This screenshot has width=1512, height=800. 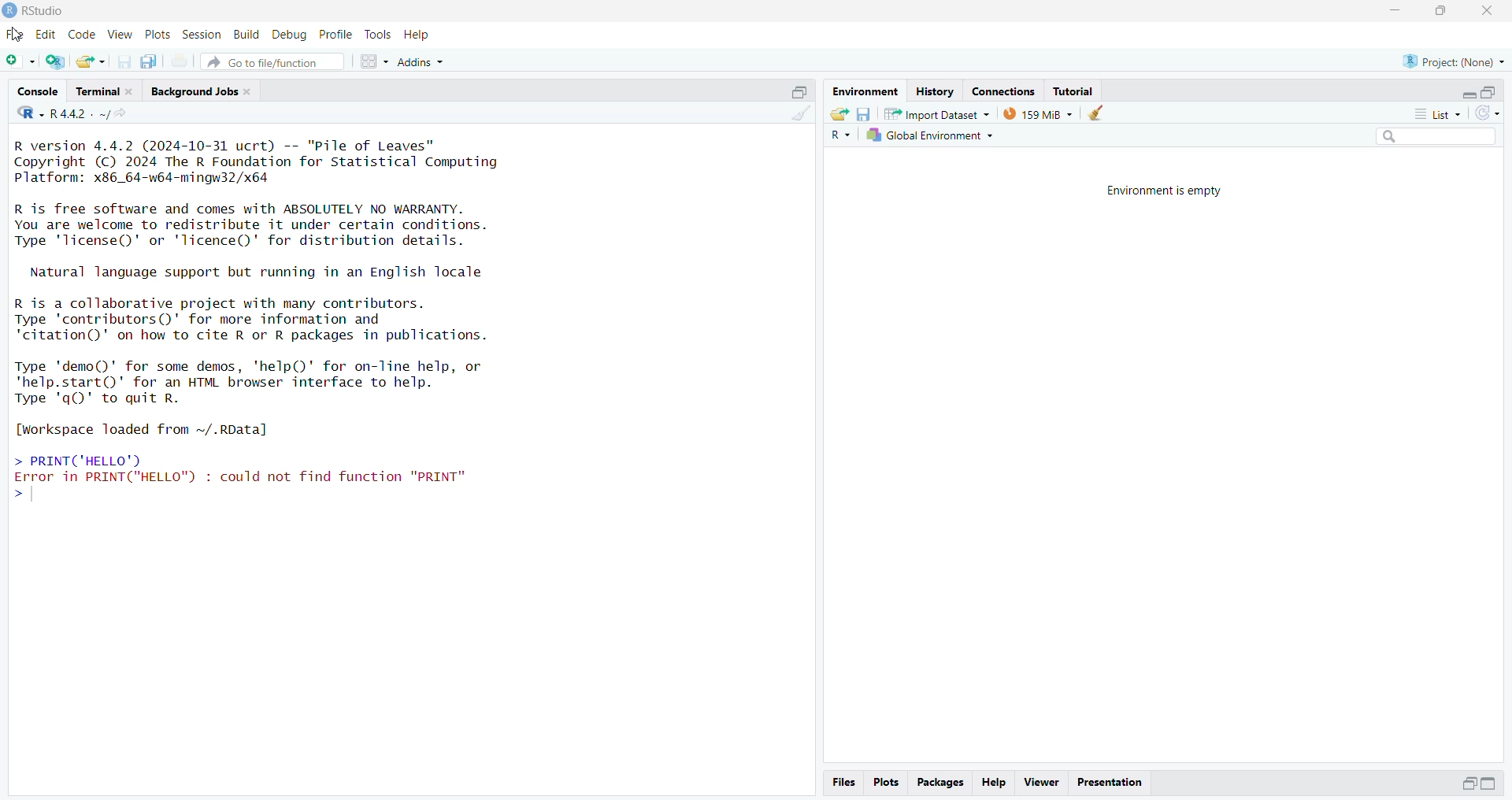 What do you see at coordinates (291, 35) in the screenshot?
I see `debug` at bounding box center [291, 35].